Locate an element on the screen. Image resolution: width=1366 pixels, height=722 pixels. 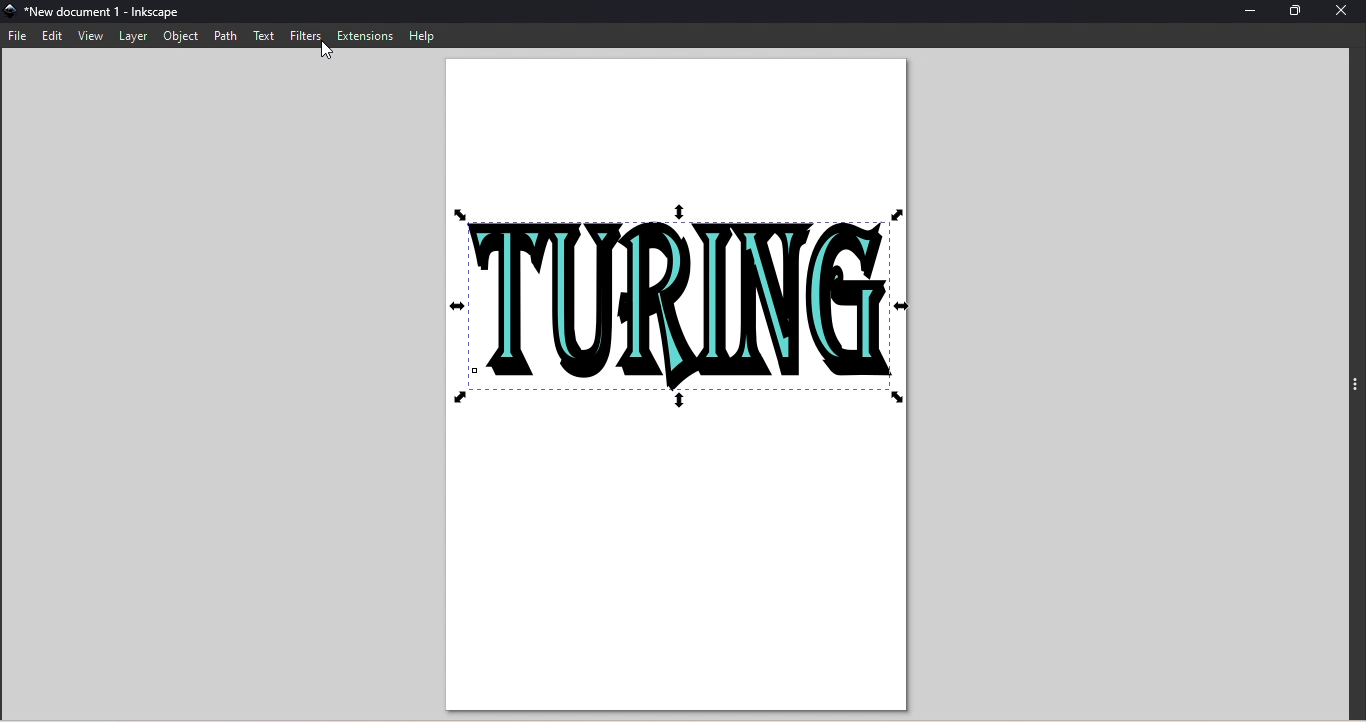
Close is located at coordinates (1342, 13).